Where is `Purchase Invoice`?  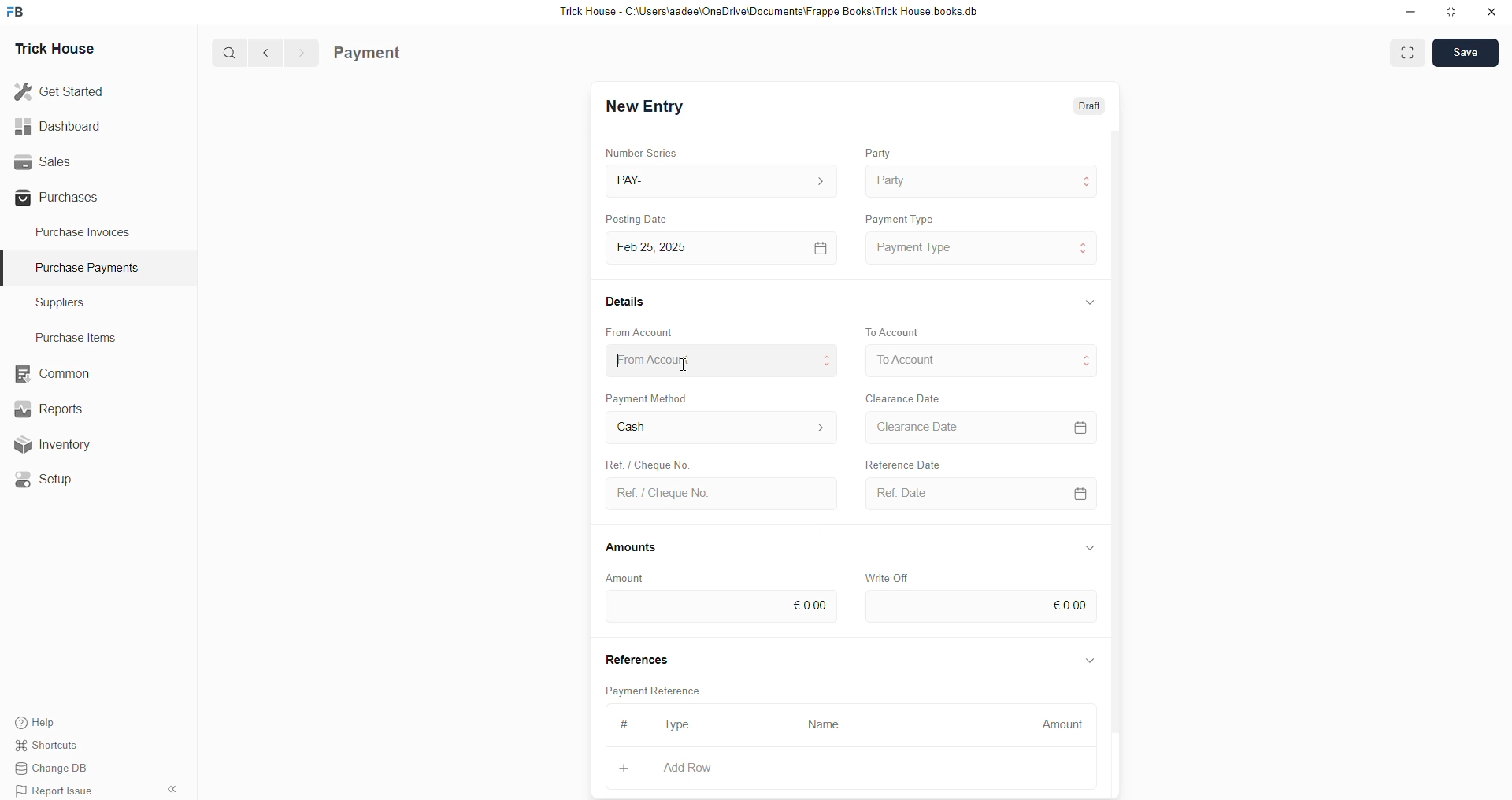 Purchase Invoice is located at coordinates (406, 53).